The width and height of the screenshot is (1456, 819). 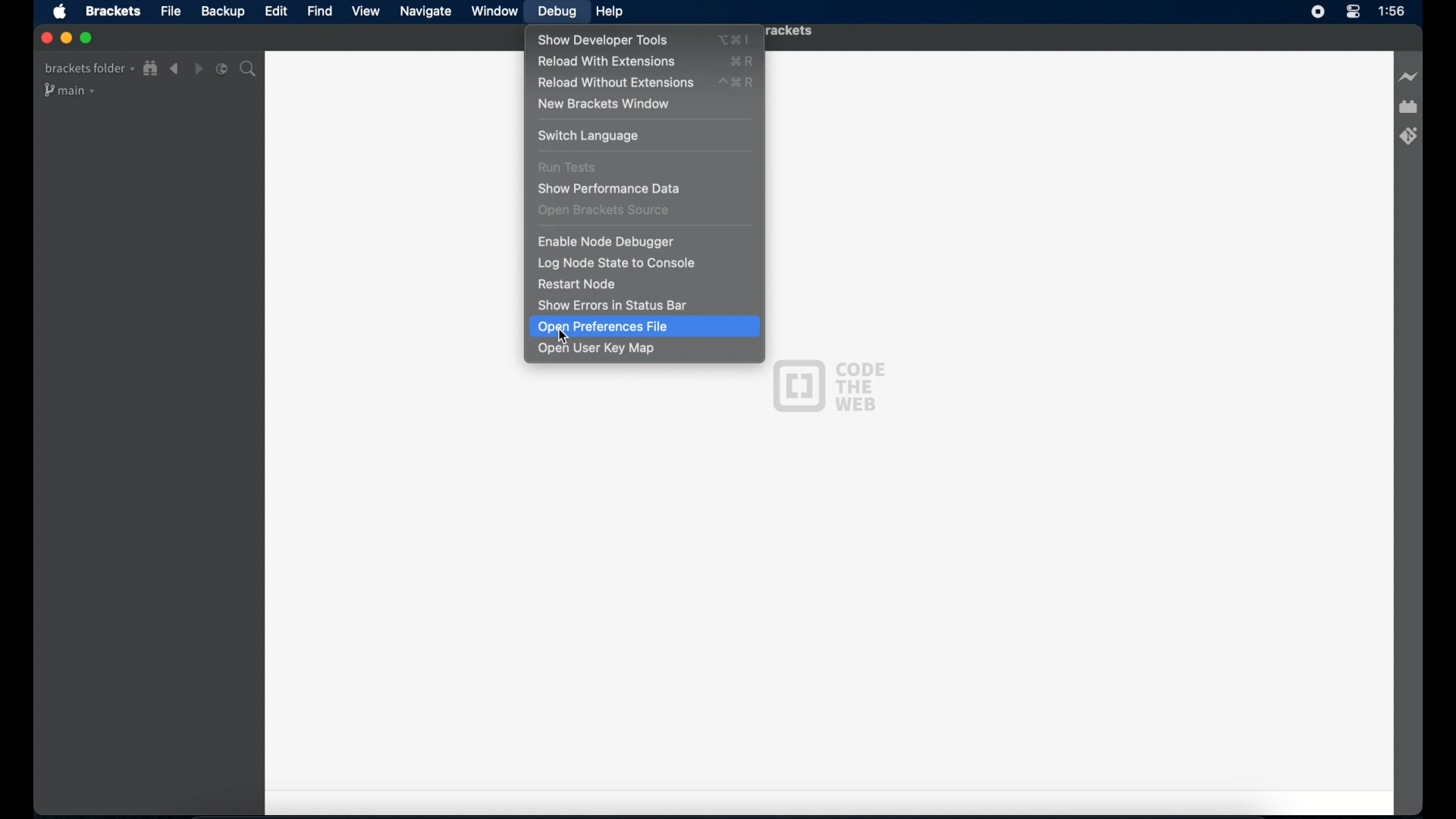 What do you see at coordinates (617, 39) in the screenshot?
I see `show developer tools` at bounding box center [617, 39].